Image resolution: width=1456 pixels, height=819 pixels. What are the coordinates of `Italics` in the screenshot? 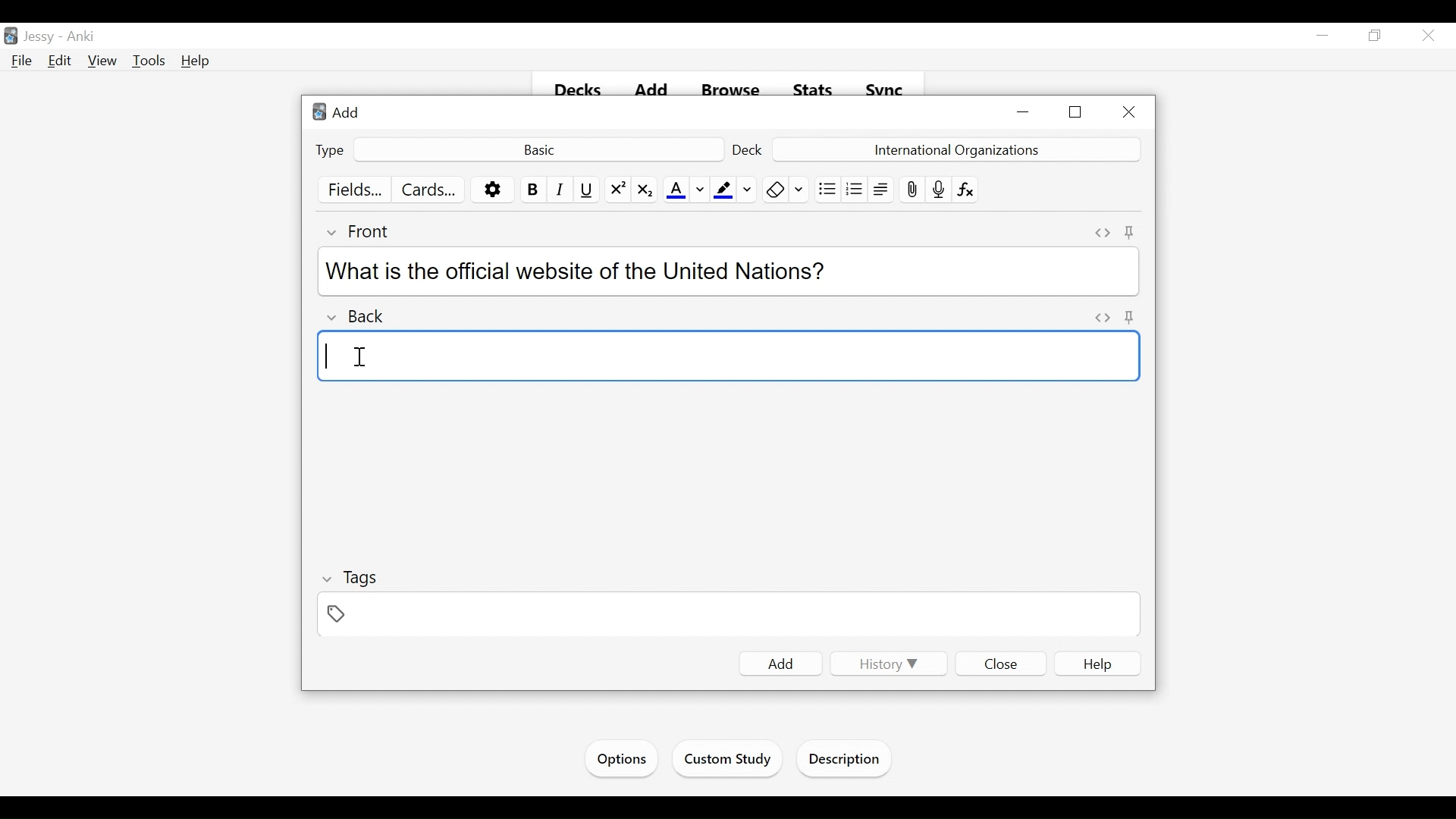 It's located at (560, 190).